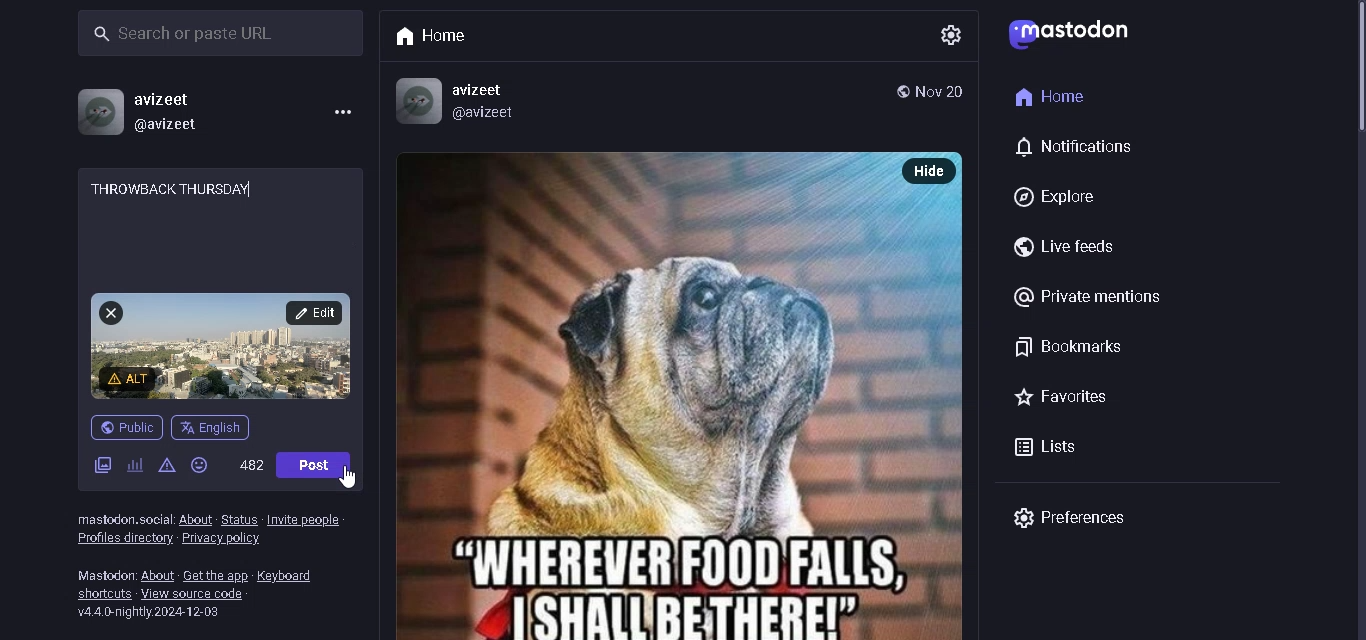  I want to click on profile directory, so click(123, 539).